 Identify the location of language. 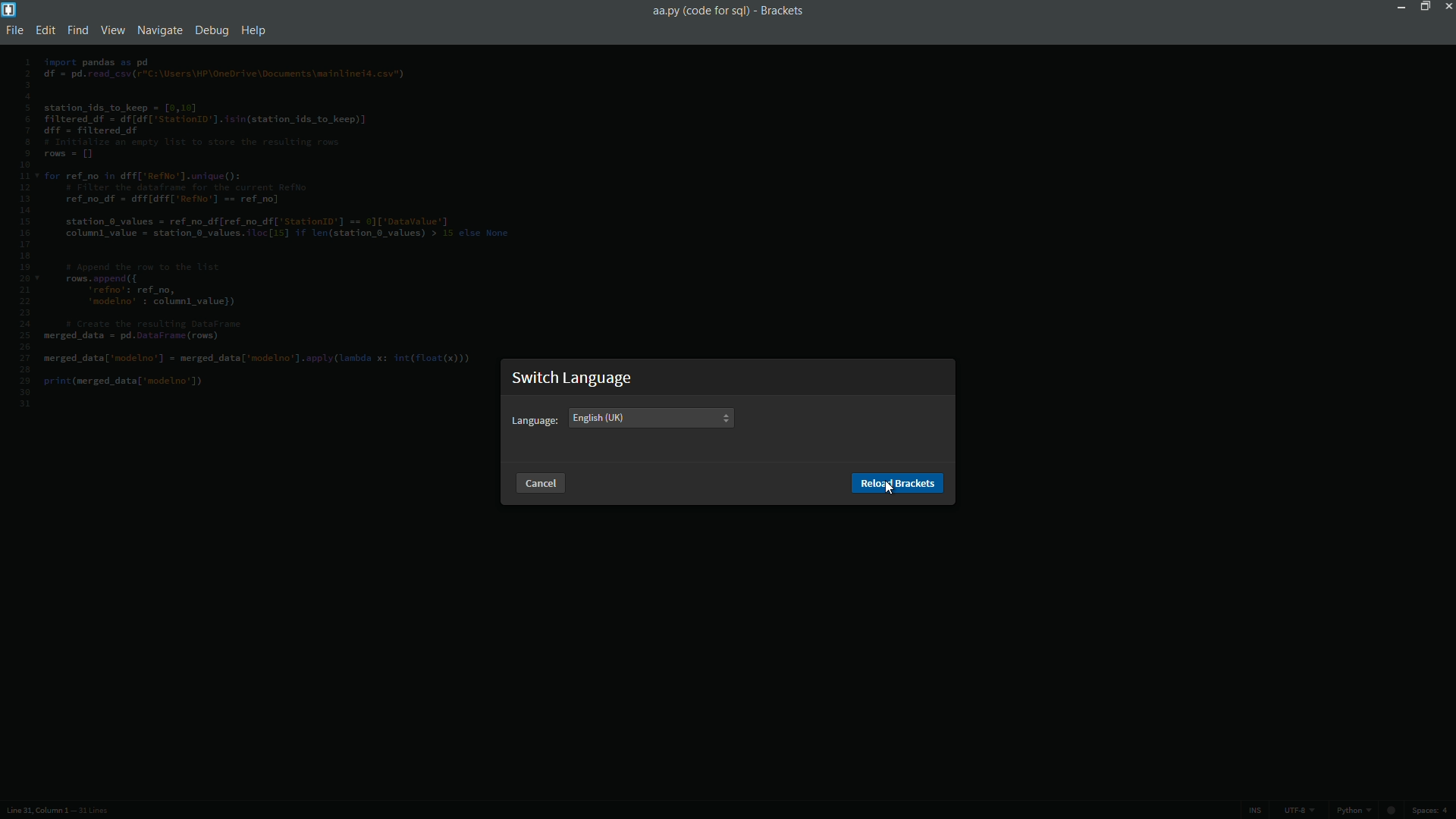
(535, 421).